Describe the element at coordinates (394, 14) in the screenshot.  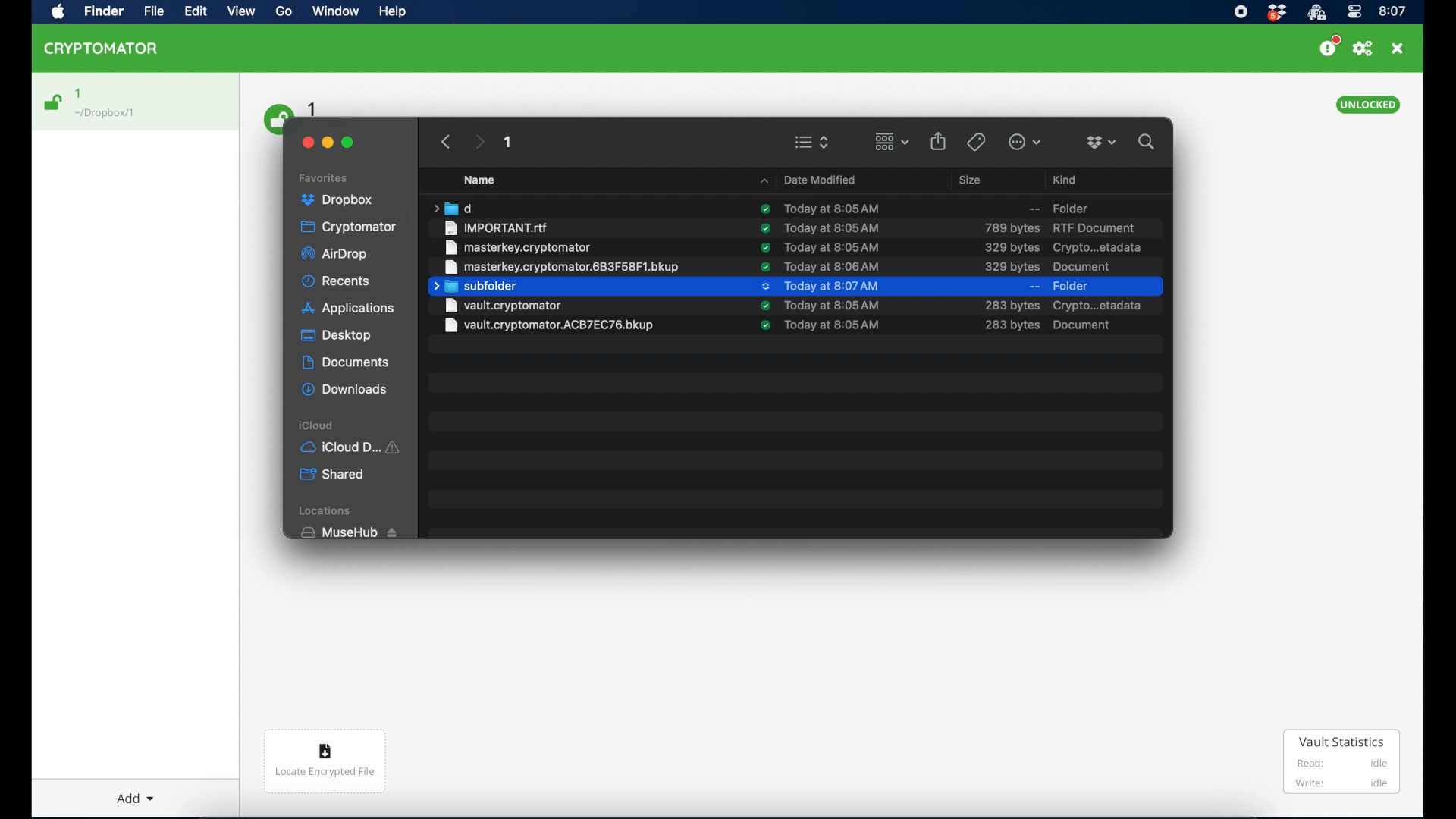
I see `Help` at that location.